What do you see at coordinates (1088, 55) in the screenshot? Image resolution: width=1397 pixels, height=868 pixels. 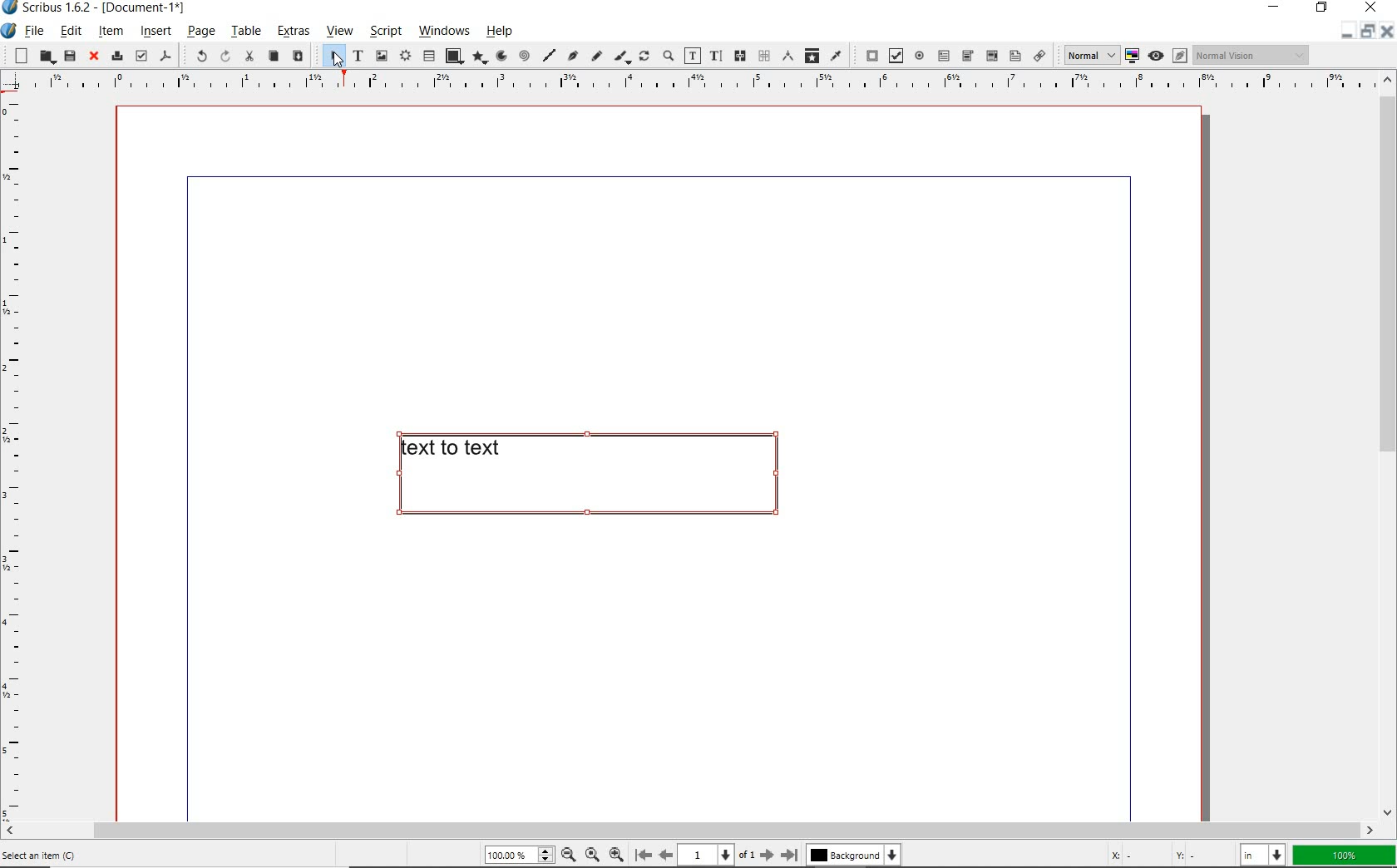 I see `normal` at bounding box center [1088, 55].